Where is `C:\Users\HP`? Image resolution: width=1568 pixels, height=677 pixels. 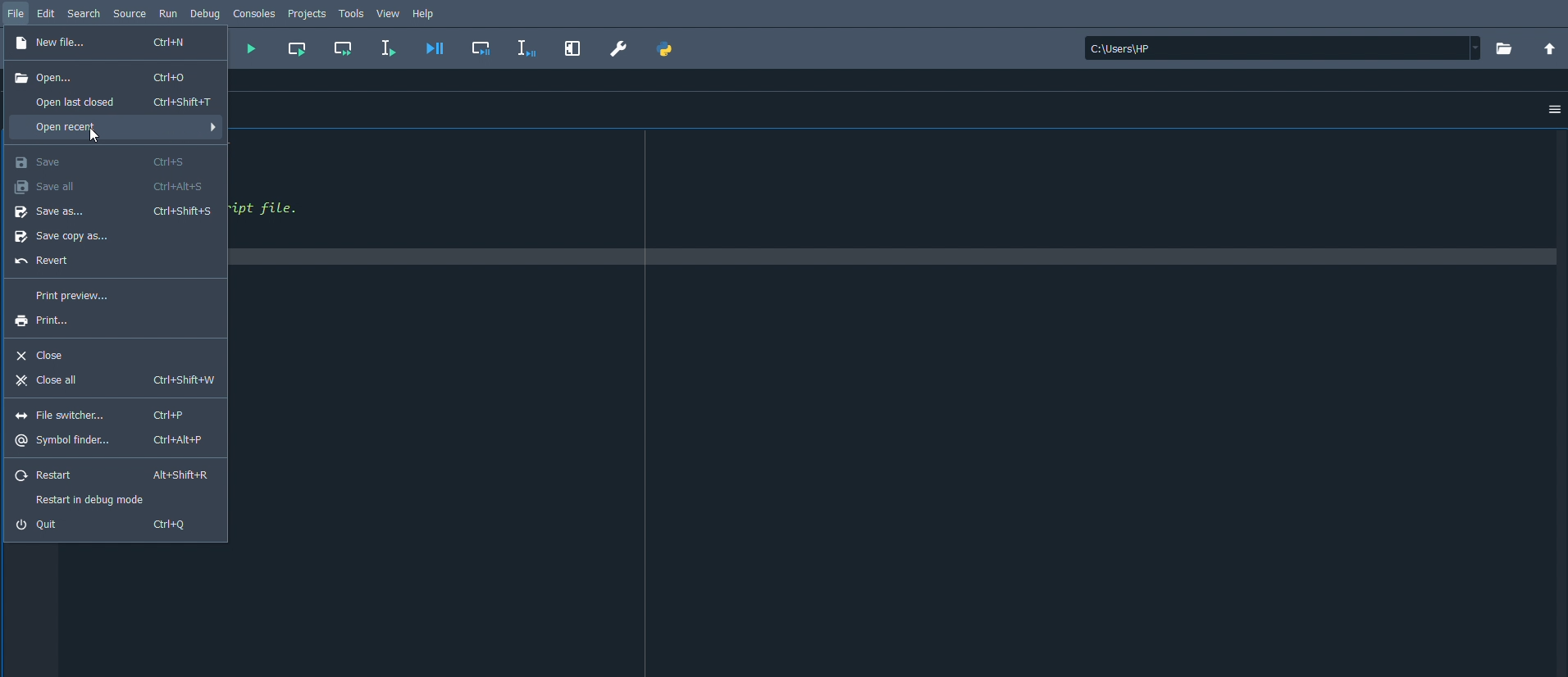 C:\Users\HP is located at coordinates (1283, 49).